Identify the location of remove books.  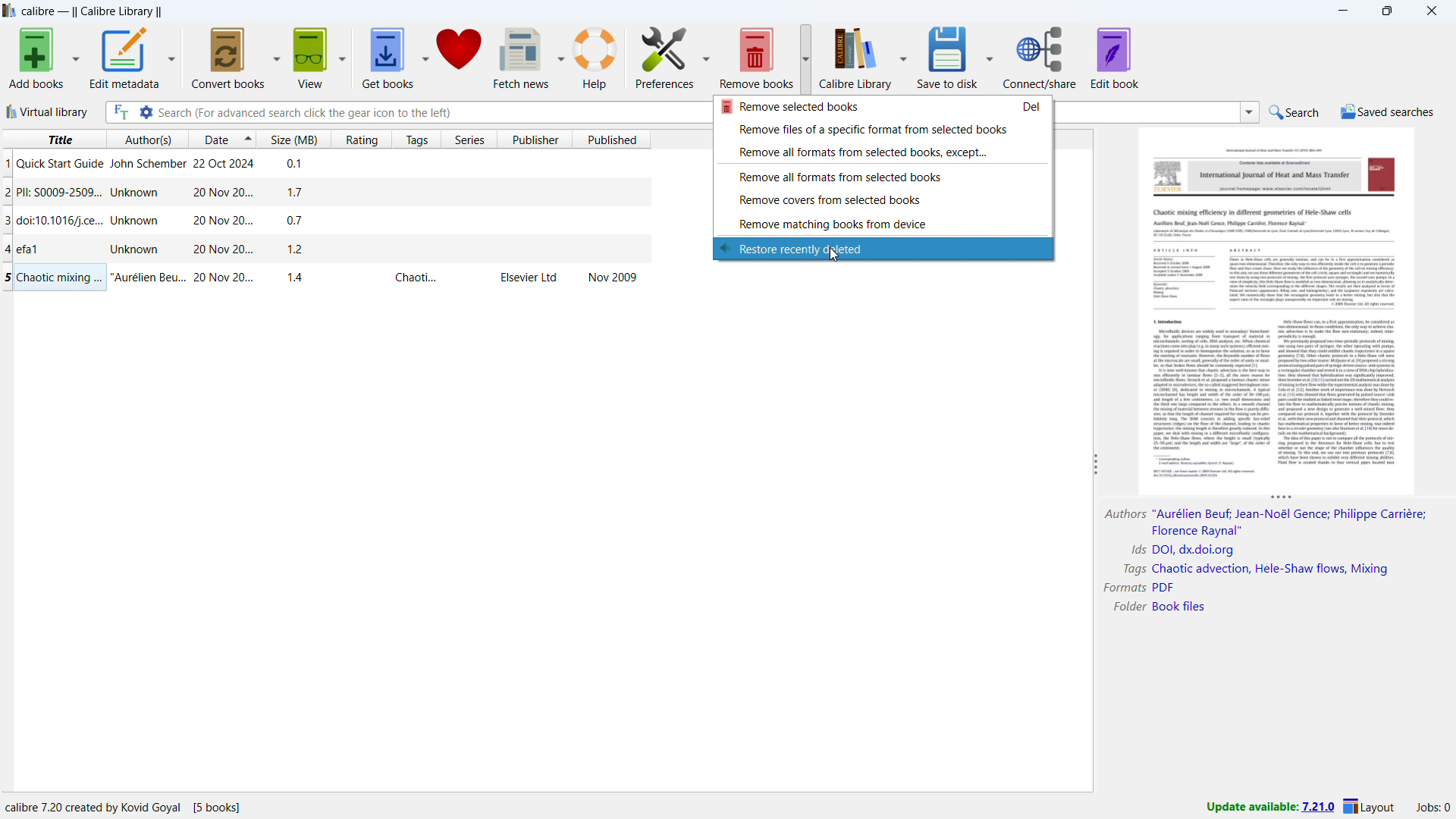
(757, 59).